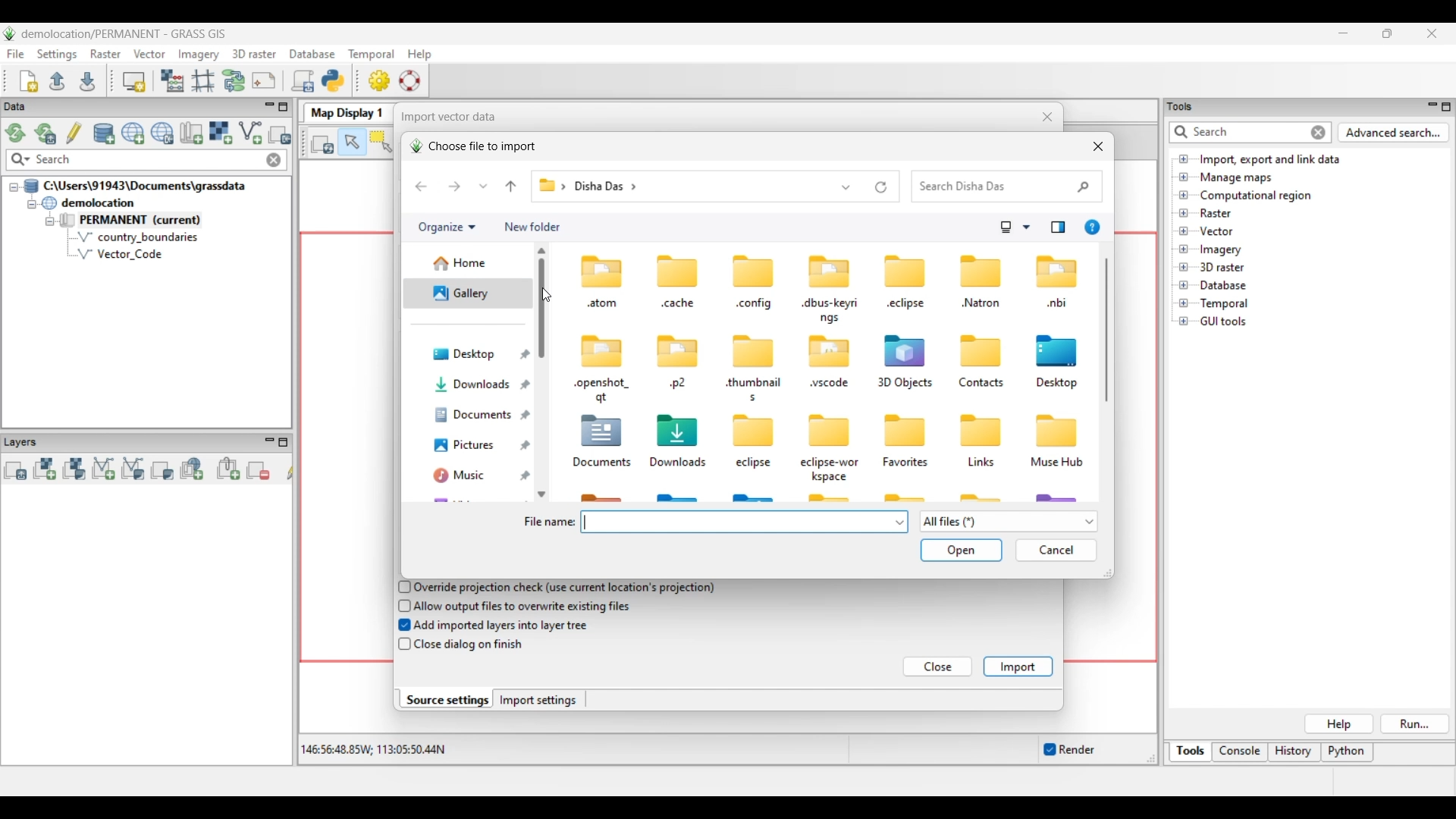  I want to click on History, so click(1294, 752).